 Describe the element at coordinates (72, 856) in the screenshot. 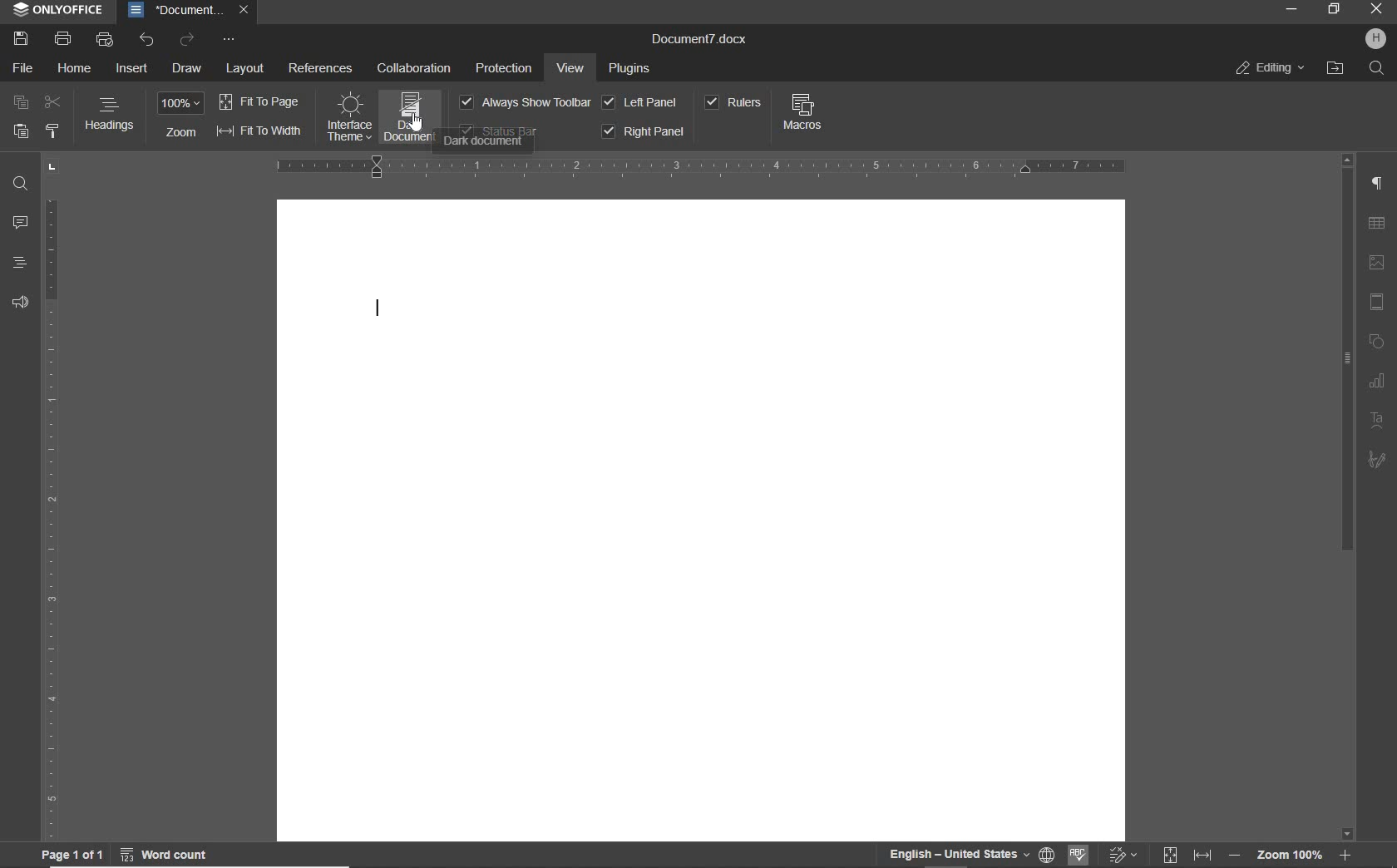

I see `PAGE 1 OF 1` at that location.